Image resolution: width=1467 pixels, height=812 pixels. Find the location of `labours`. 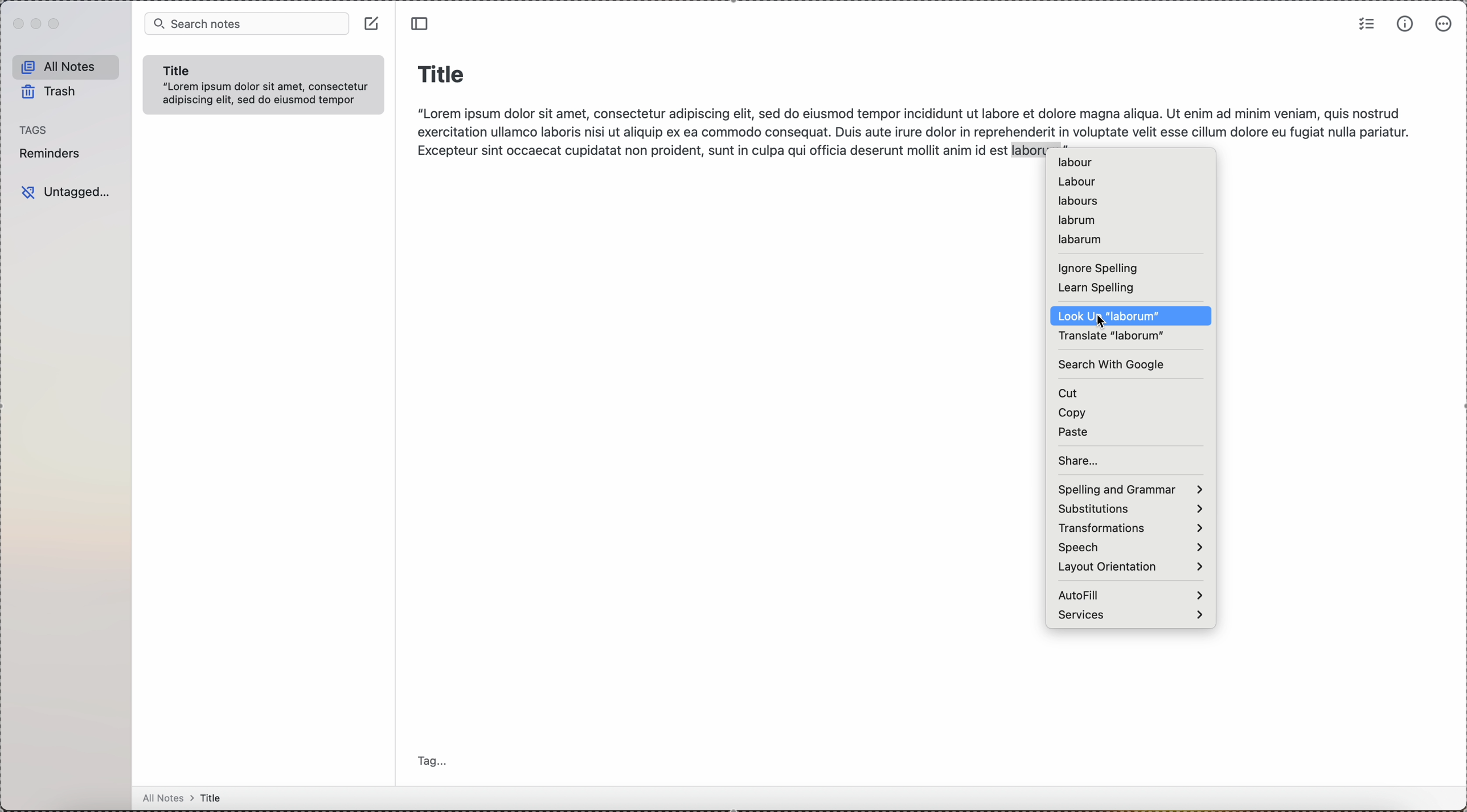

labours is located at coordinates (1079, 200).